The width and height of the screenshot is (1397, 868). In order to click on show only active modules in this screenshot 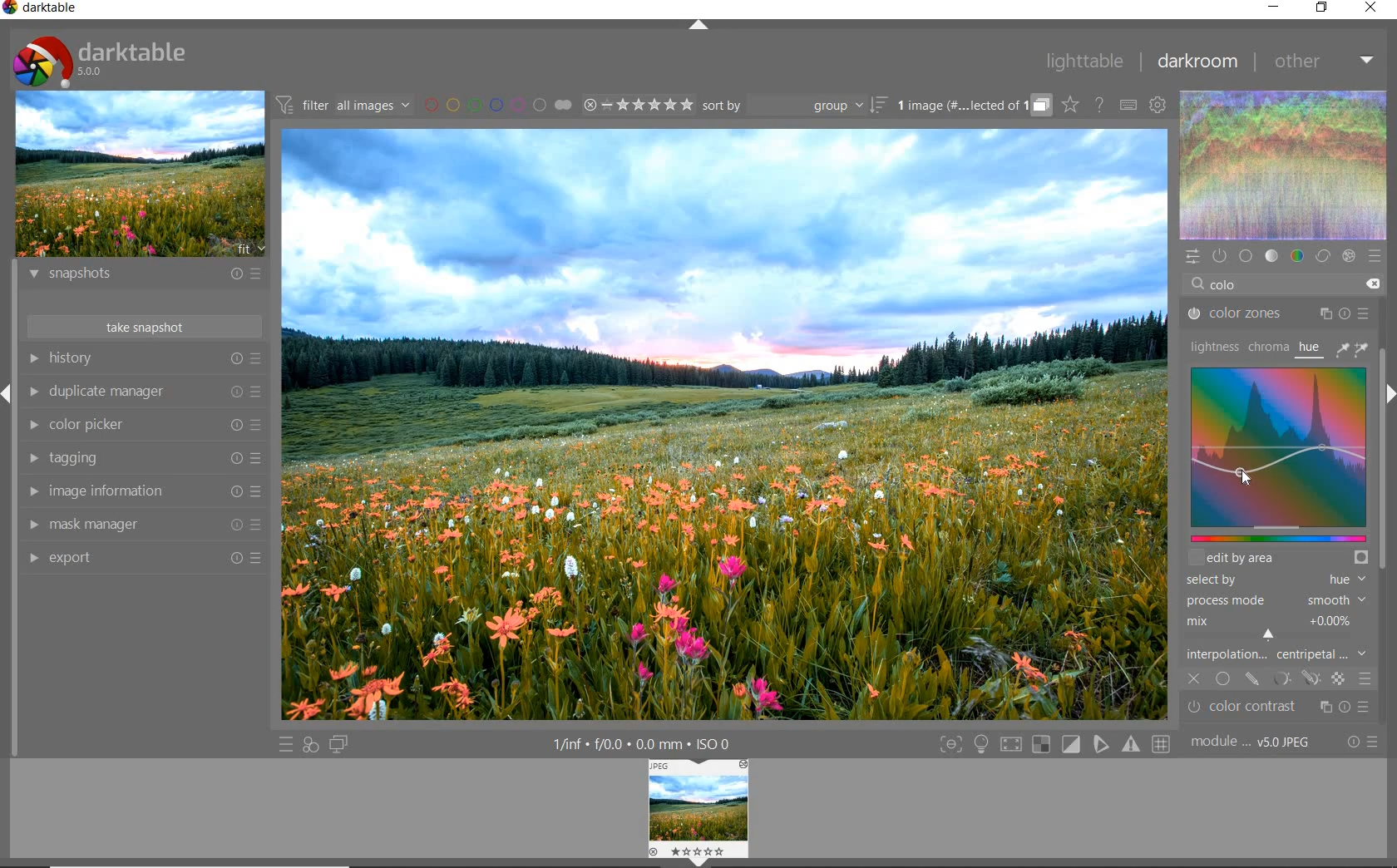, I will do `click(1218, 254)`.